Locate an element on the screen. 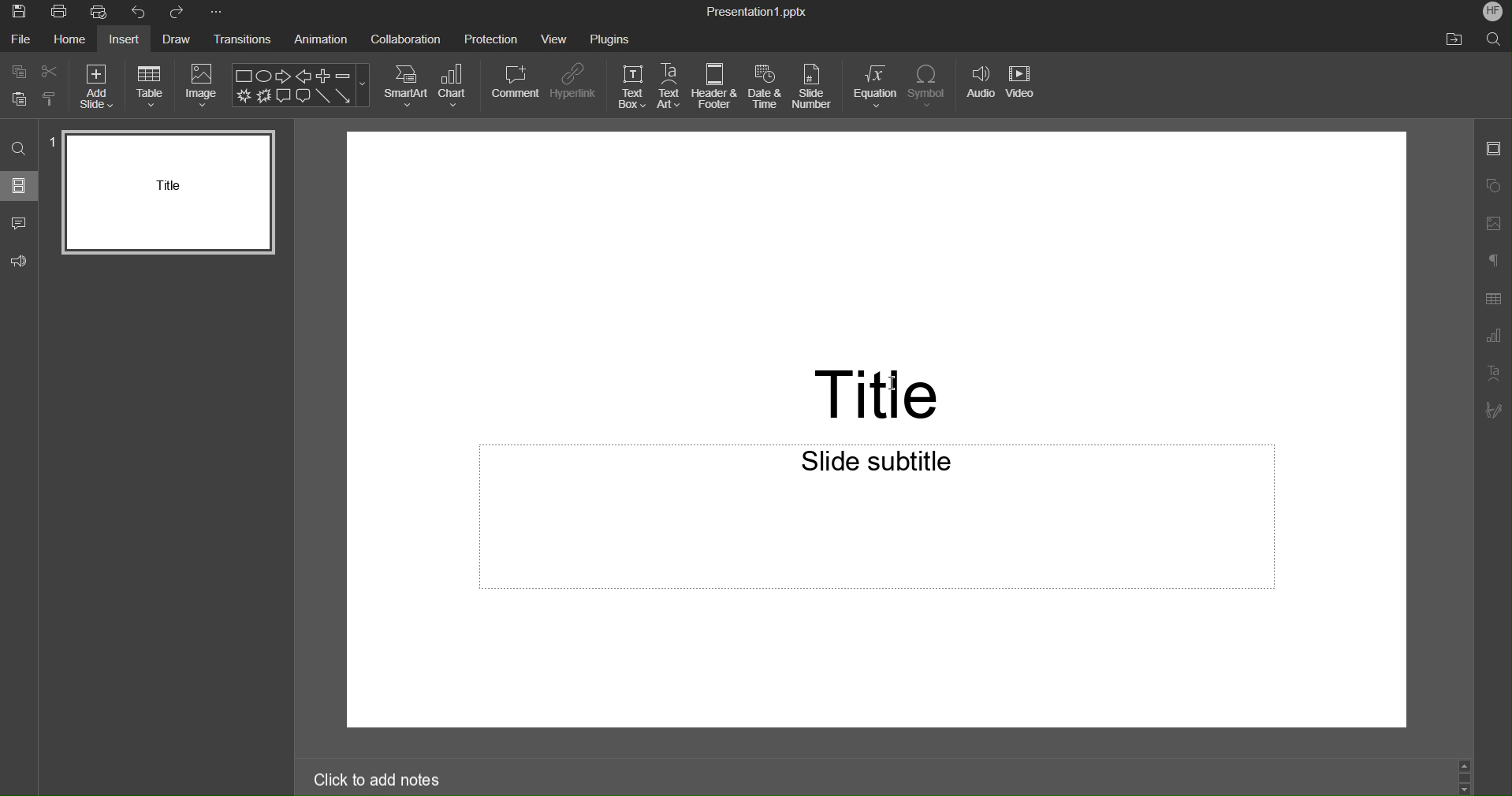 Image resolution: width=1512 pixels, height=796 pixels. Video is located at coordinates (1023, 88).